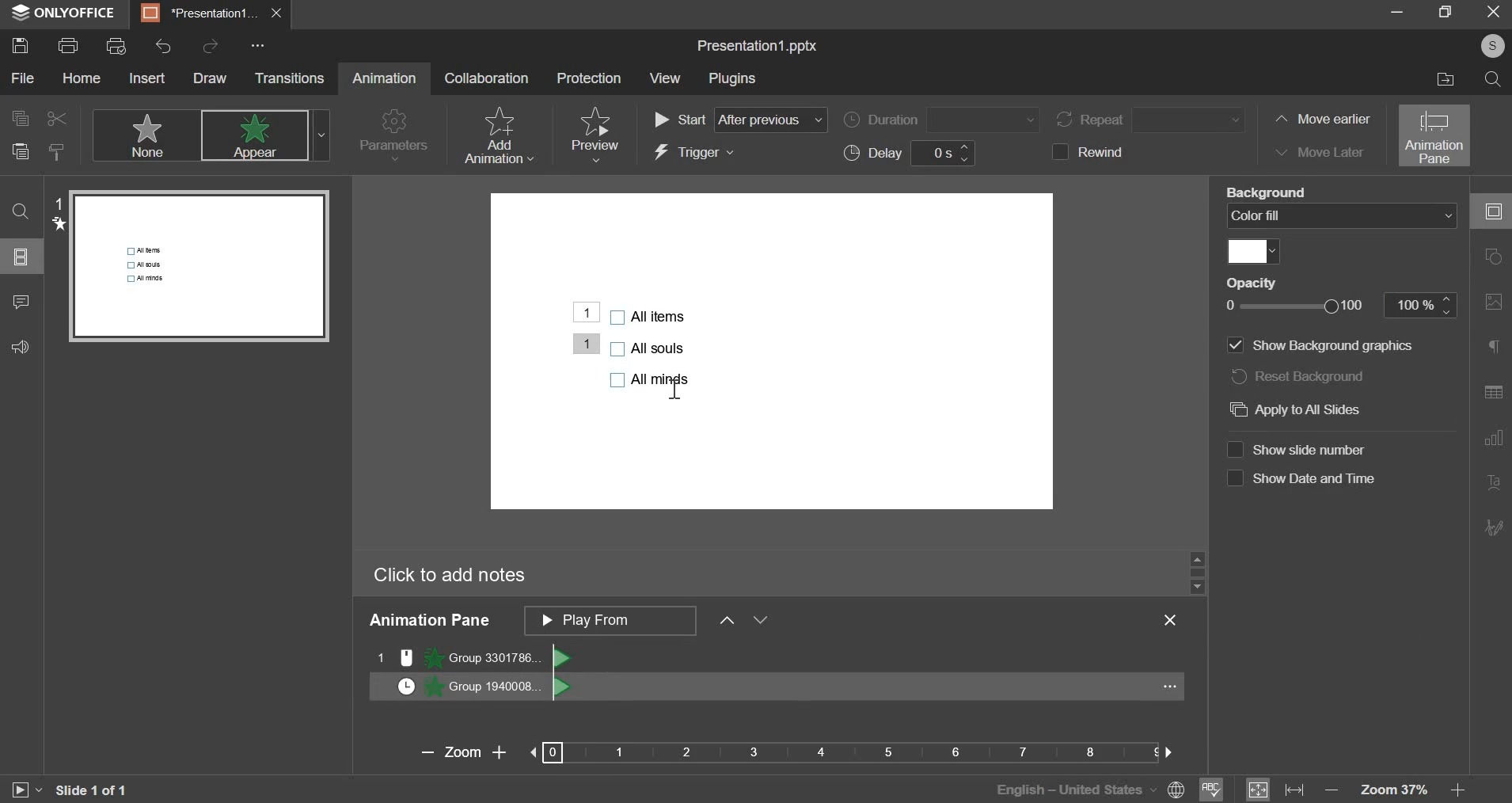 This screenshot has width=1512, height=803. Describe the element at coordinates (289, 78) in the screenshot. I see `transitions` at that location.